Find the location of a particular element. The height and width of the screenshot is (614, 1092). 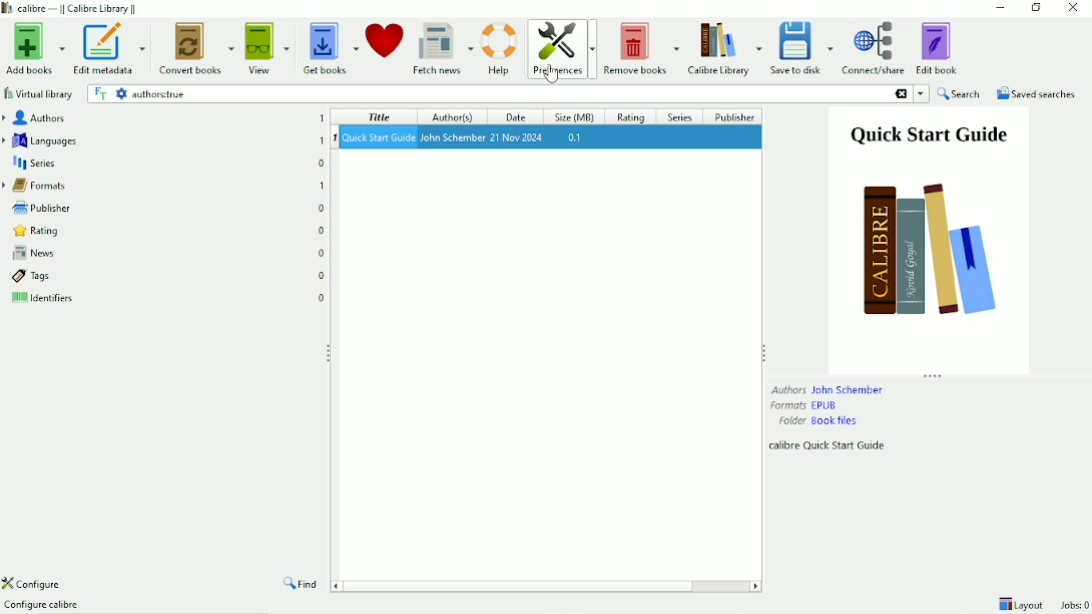

Find is located at coordinates (299, 584).